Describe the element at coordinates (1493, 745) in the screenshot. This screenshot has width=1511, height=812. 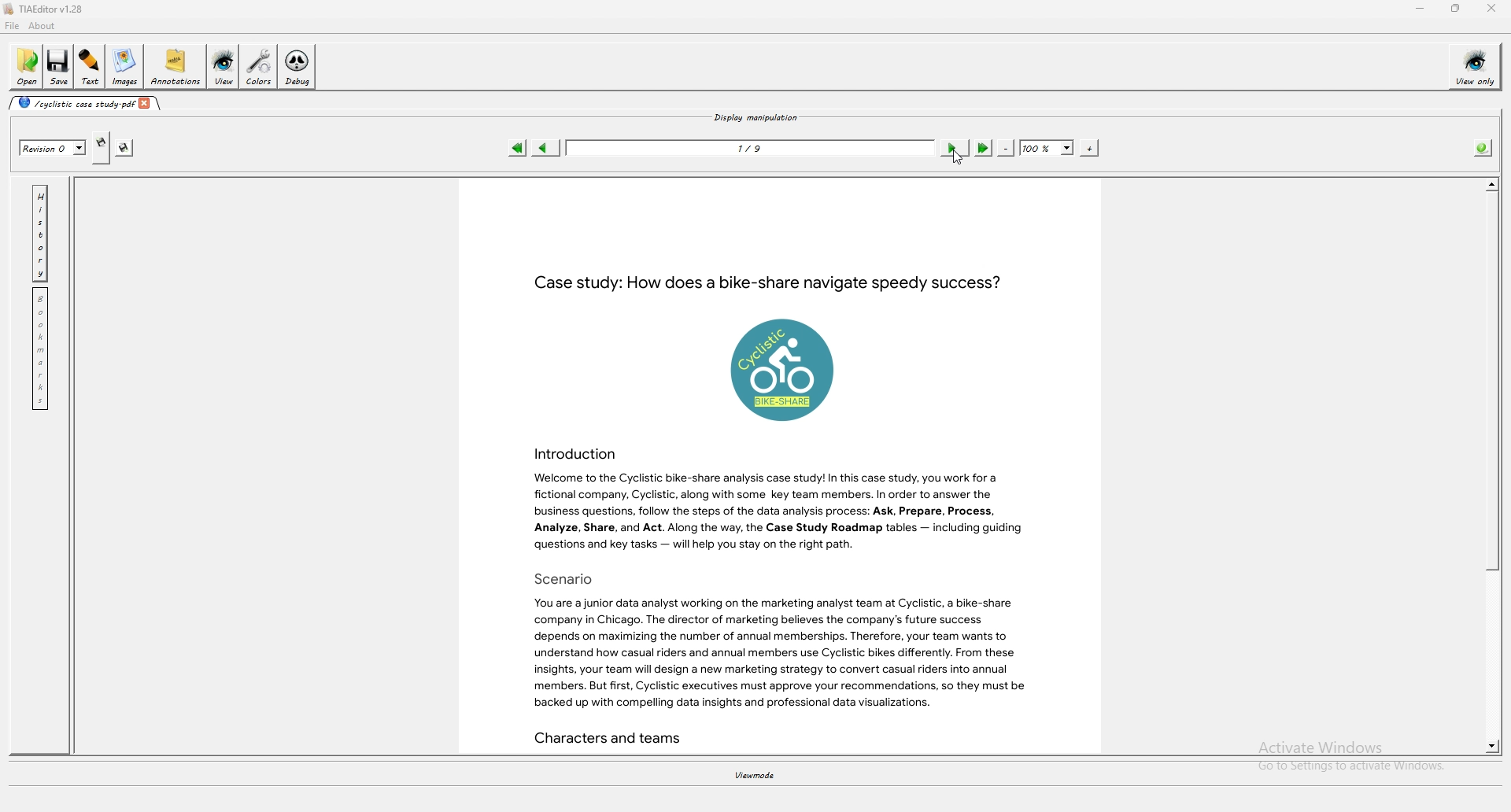
I see `scroll down` at that location.